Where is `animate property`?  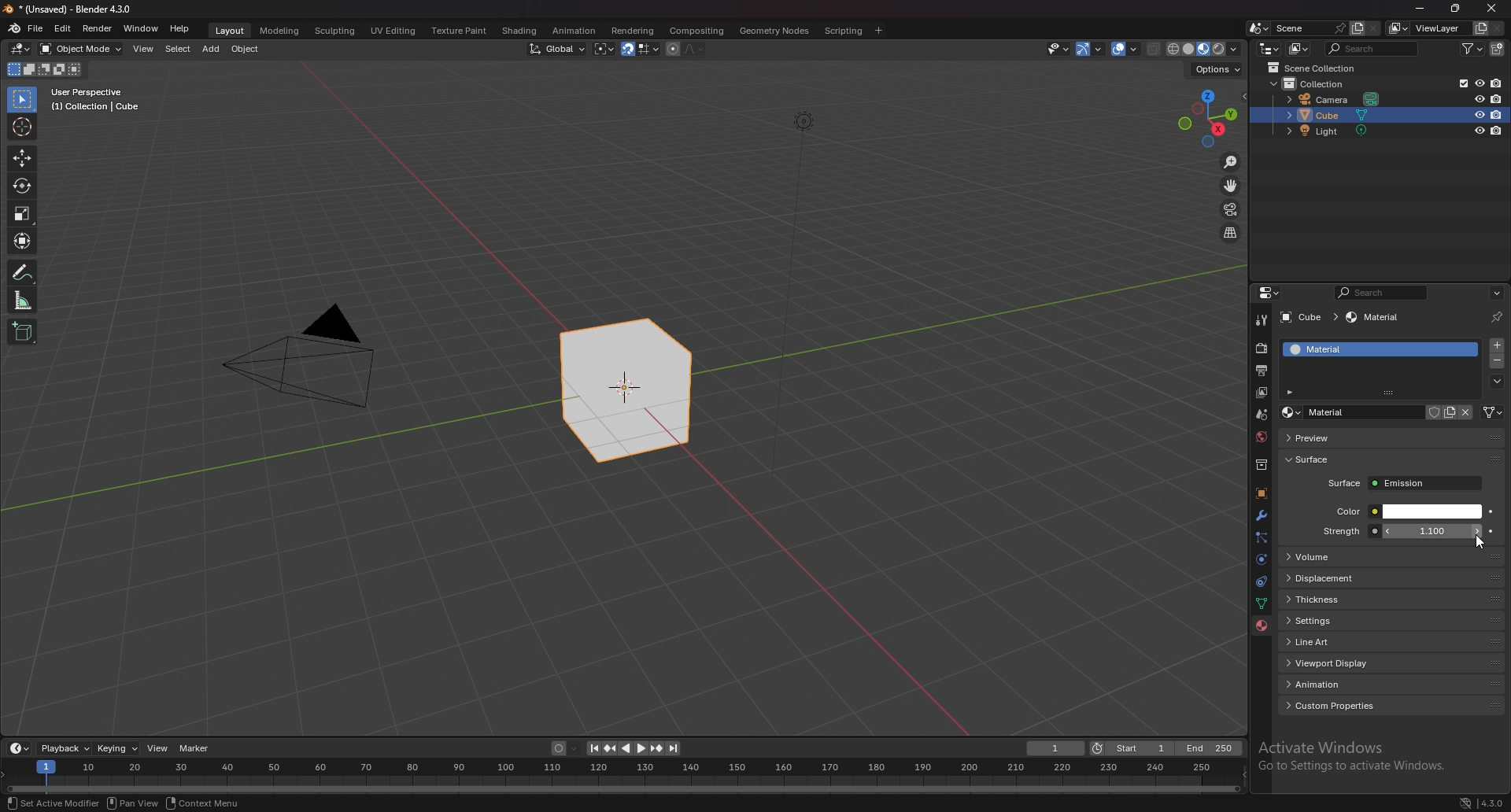 animate property is located at coordinates (1491, 511).